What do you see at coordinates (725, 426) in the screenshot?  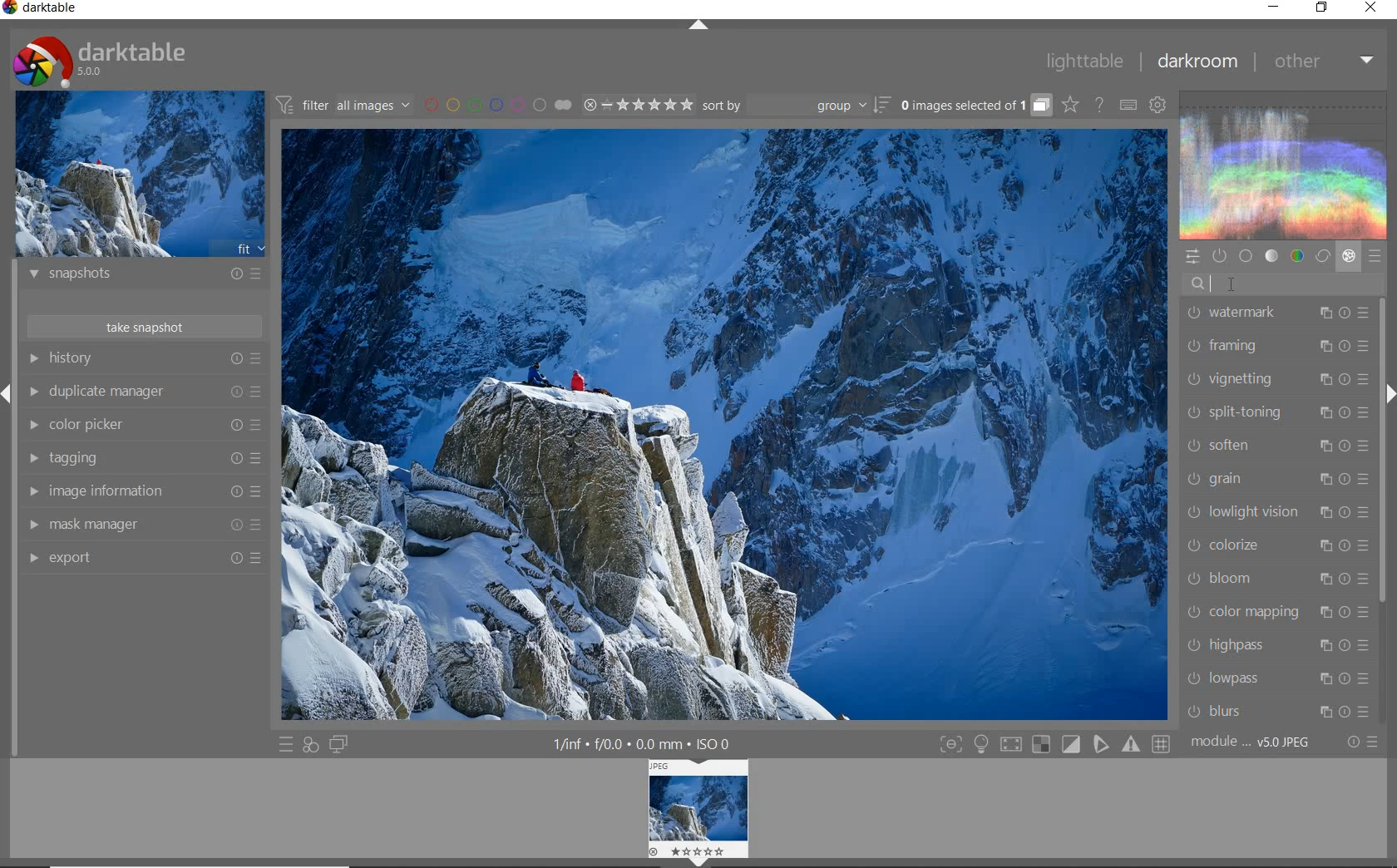 I see `selected image` at bounding box center [725, 426].